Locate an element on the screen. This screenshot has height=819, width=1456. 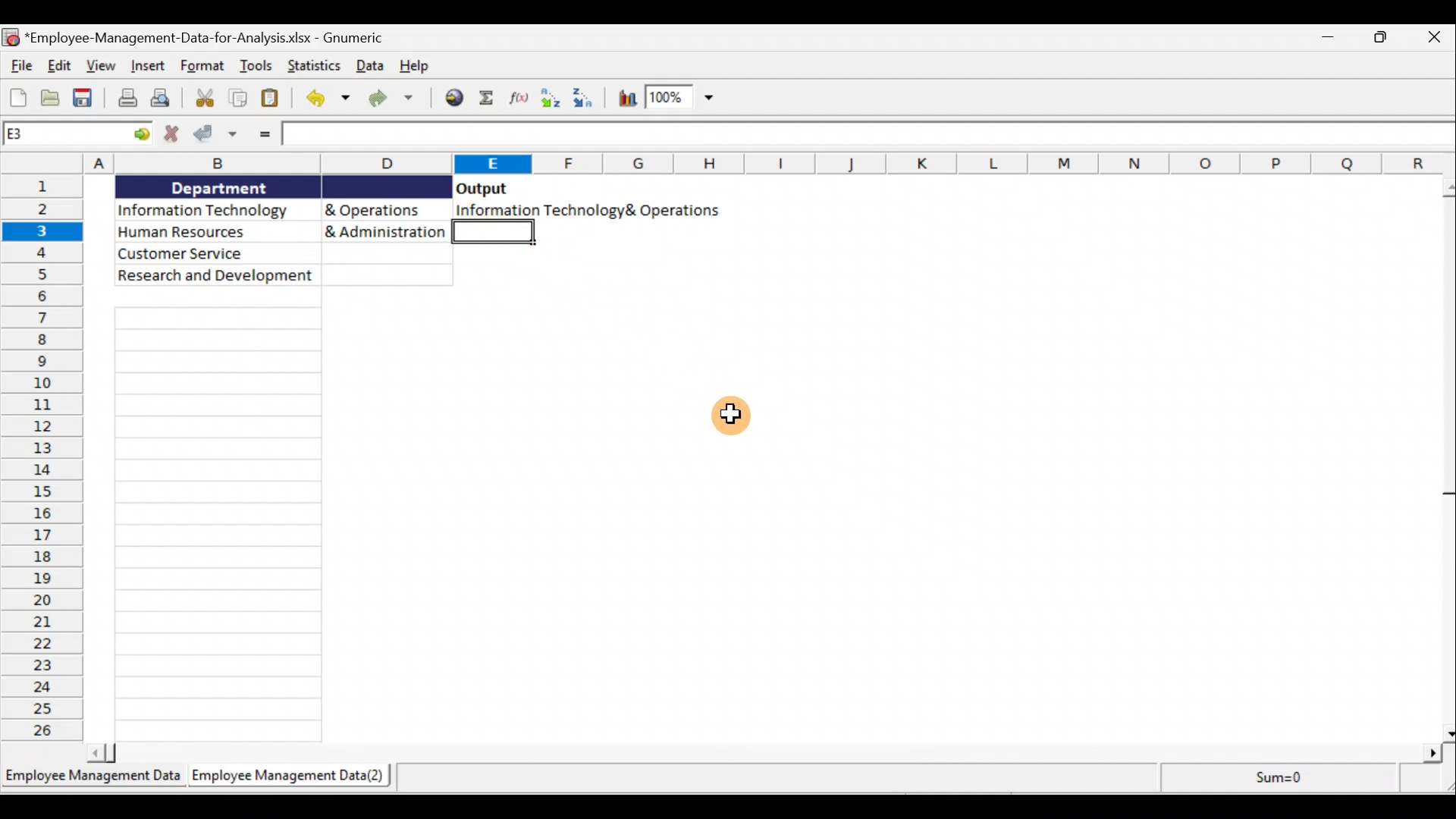
Edit a function in the current cell is located at coordinates (515, 96).